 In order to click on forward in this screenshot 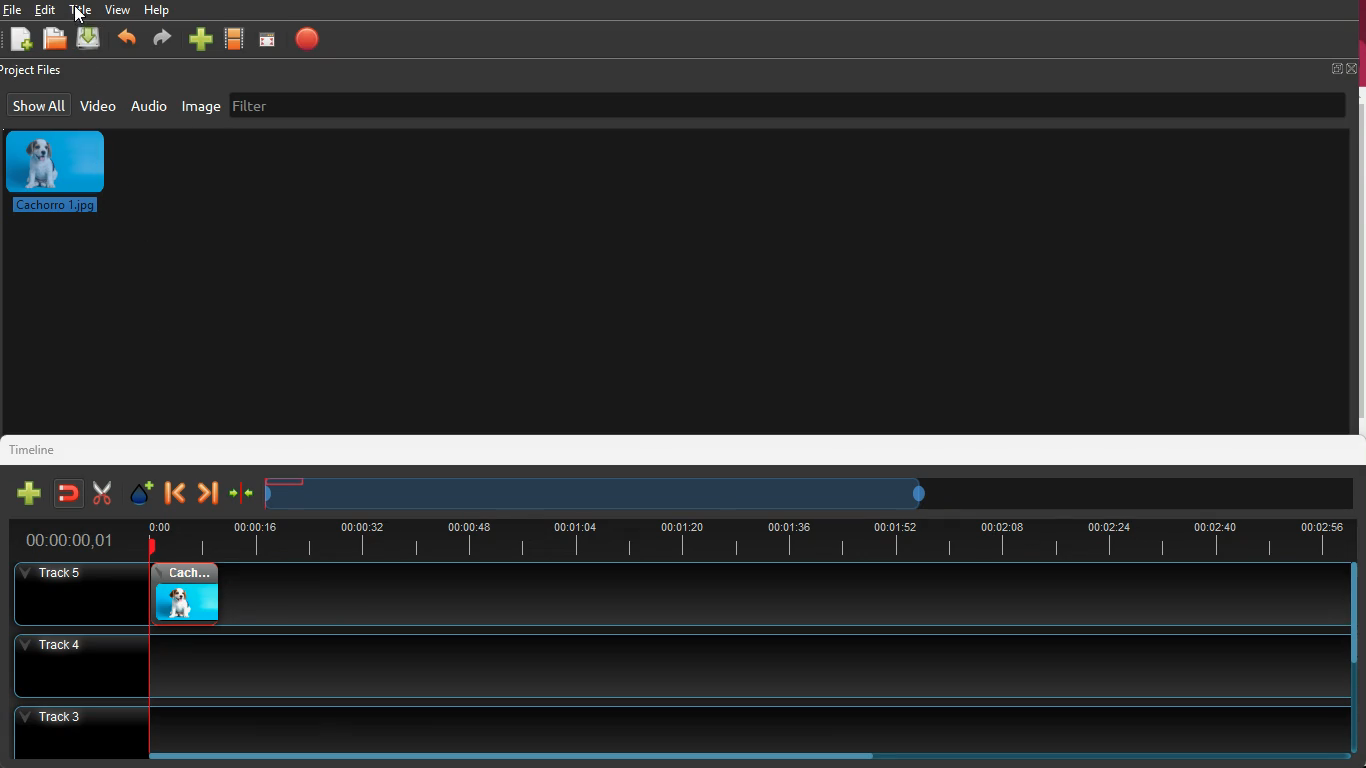, I will do `click(160, 41)`.